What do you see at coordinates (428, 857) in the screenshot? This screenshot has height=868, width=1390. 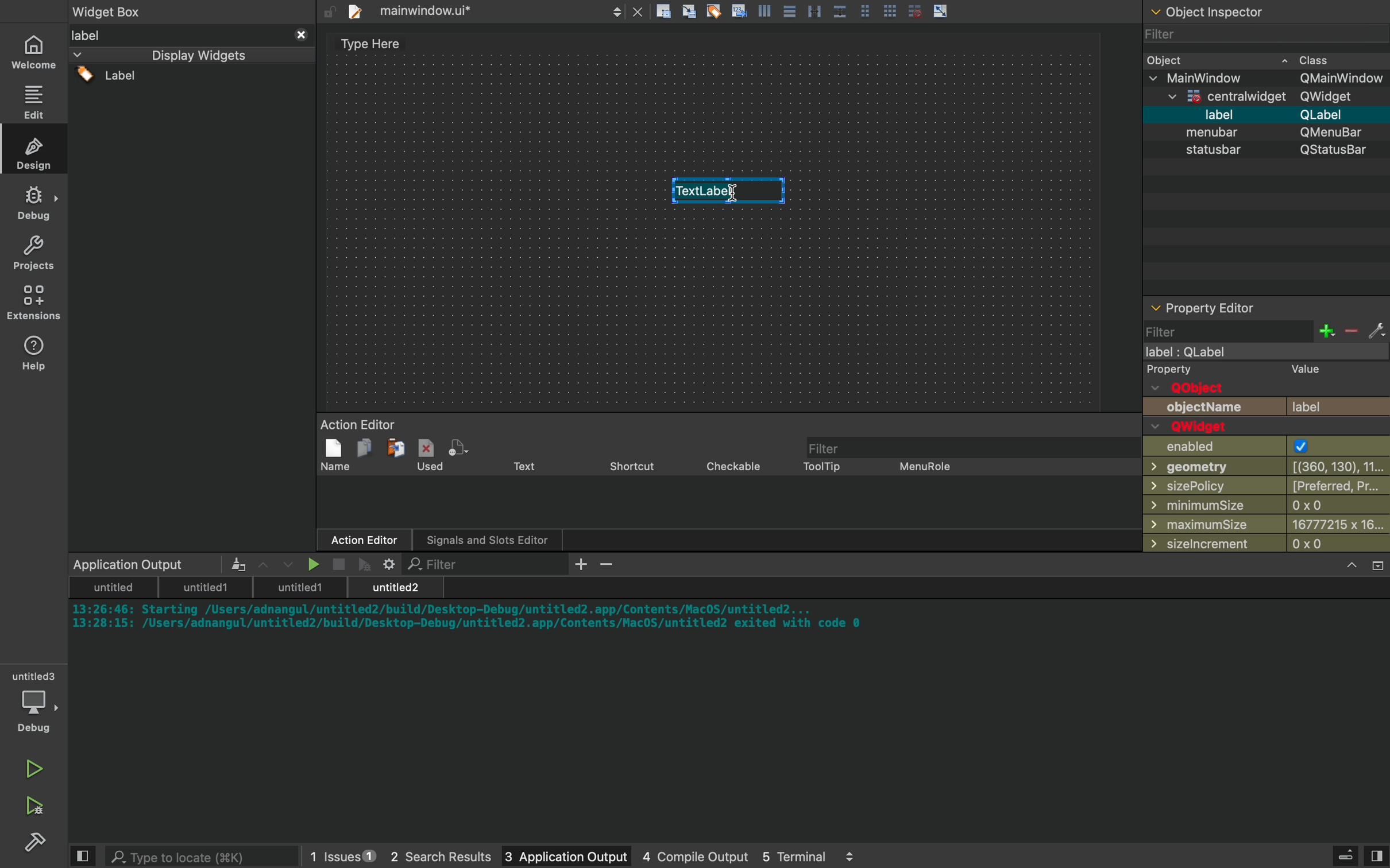 I see `2 search results` at bounding box center [428, 857].